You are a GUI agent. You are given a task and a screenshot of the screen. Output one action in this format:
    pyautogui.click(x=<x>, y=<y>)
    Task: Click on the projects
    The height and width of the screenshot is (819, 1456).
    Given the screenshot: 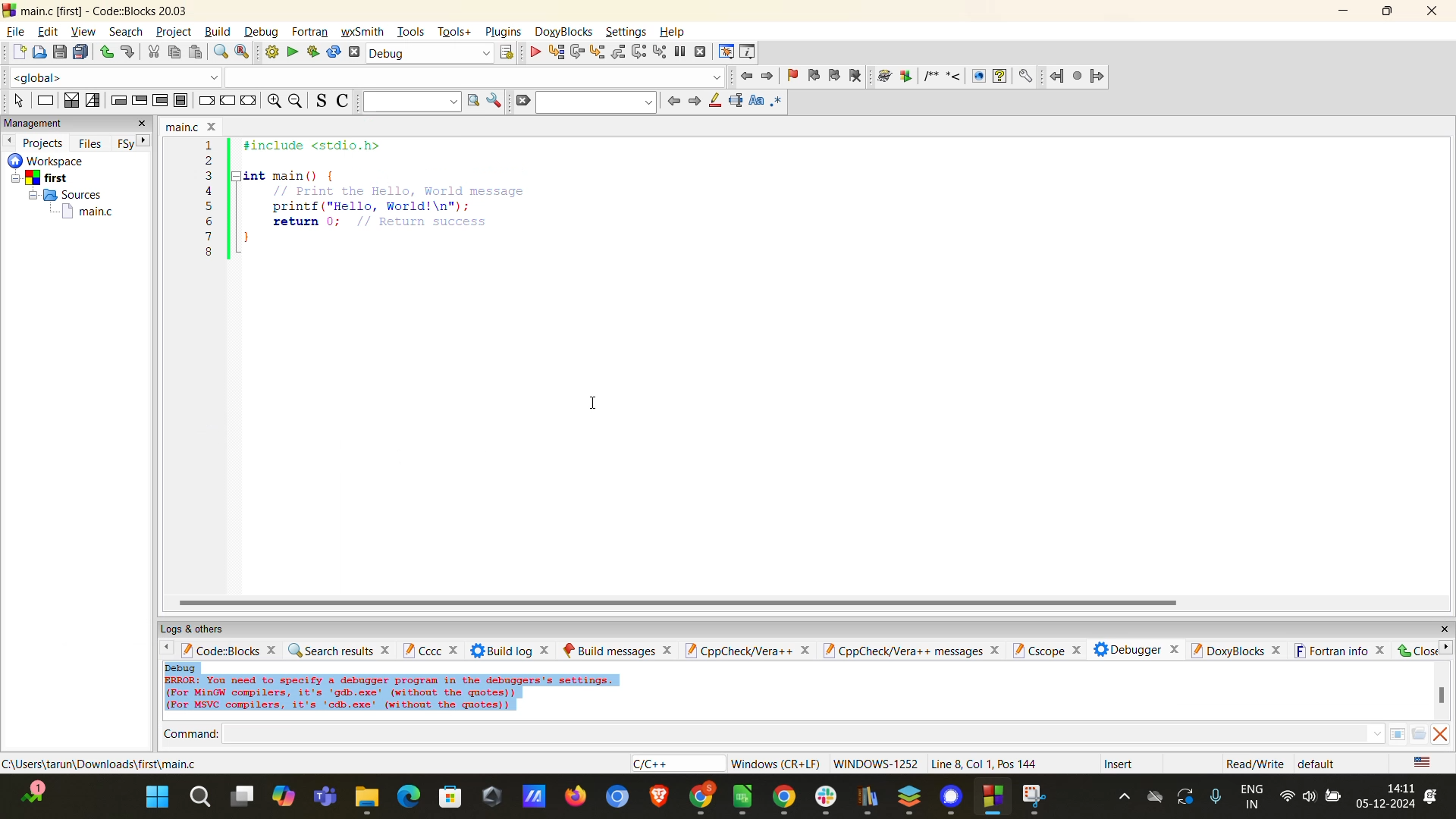 What is the action you would take?
    pyautogui.click(x=45, y=146)
    